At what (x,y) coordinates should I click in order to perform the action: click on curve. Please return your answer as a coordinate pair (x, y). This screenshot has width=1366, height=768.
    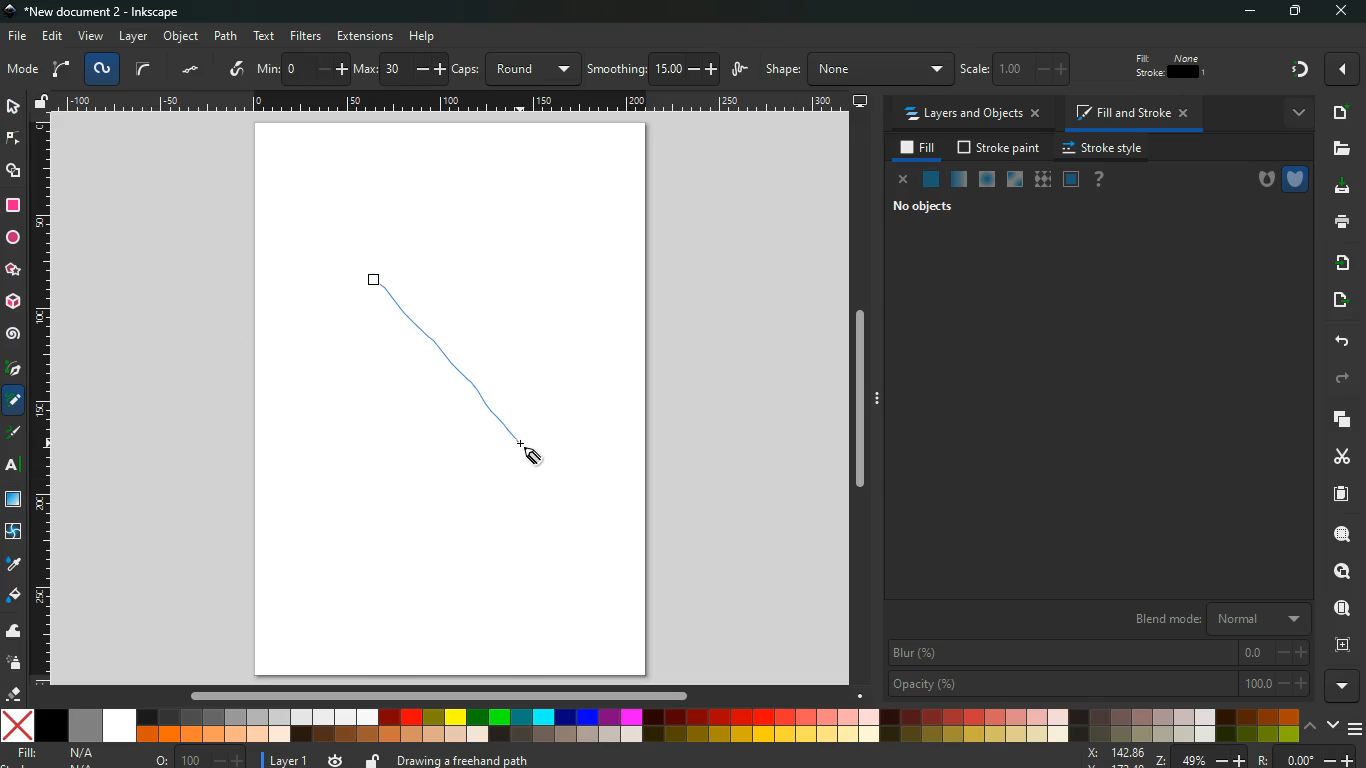
    Looking at the image, I should click on (144, 71).